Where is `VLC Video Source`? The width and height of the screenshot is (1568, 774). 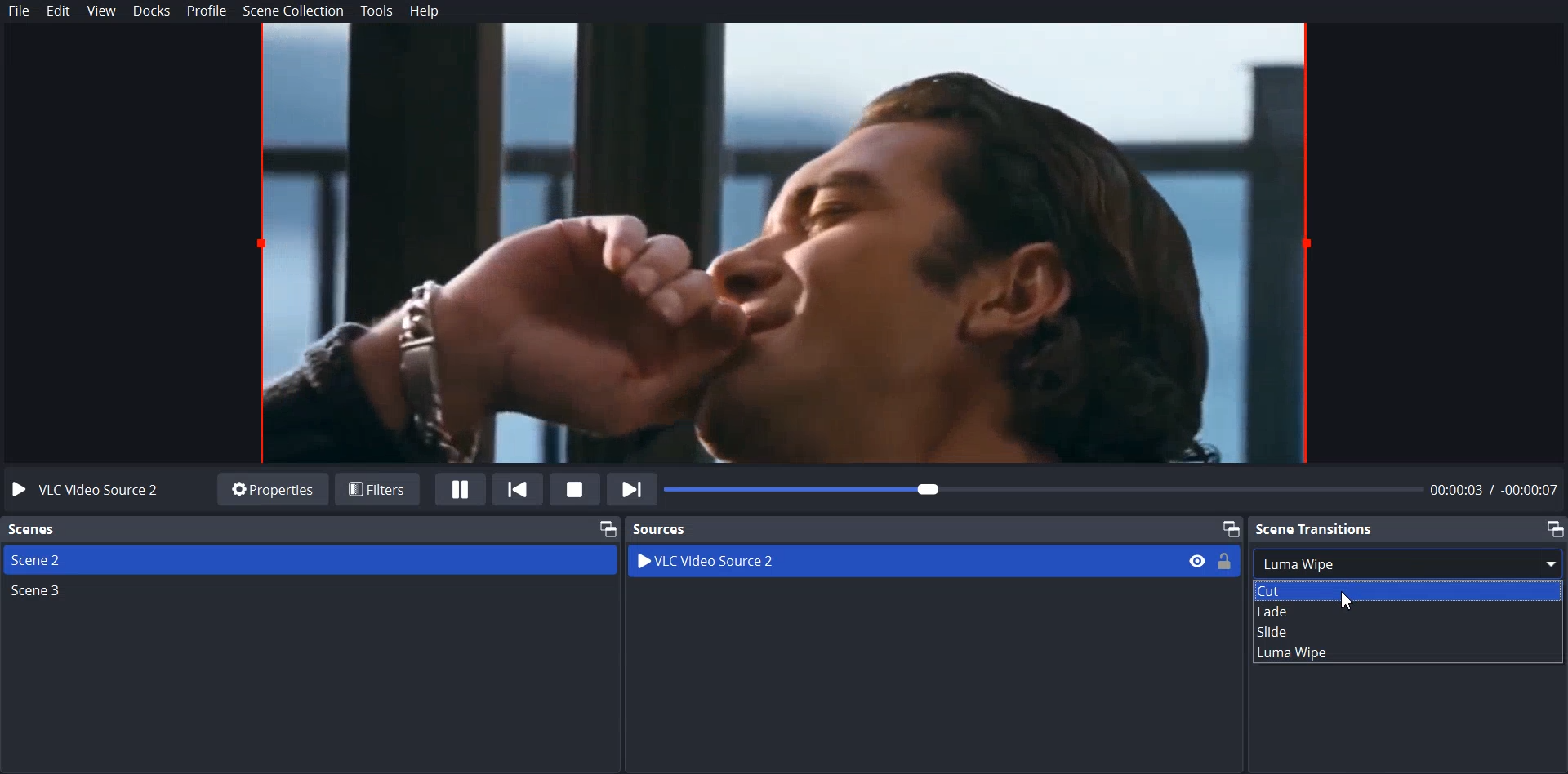
VLC Video Source is located at coordinates (91, 489).